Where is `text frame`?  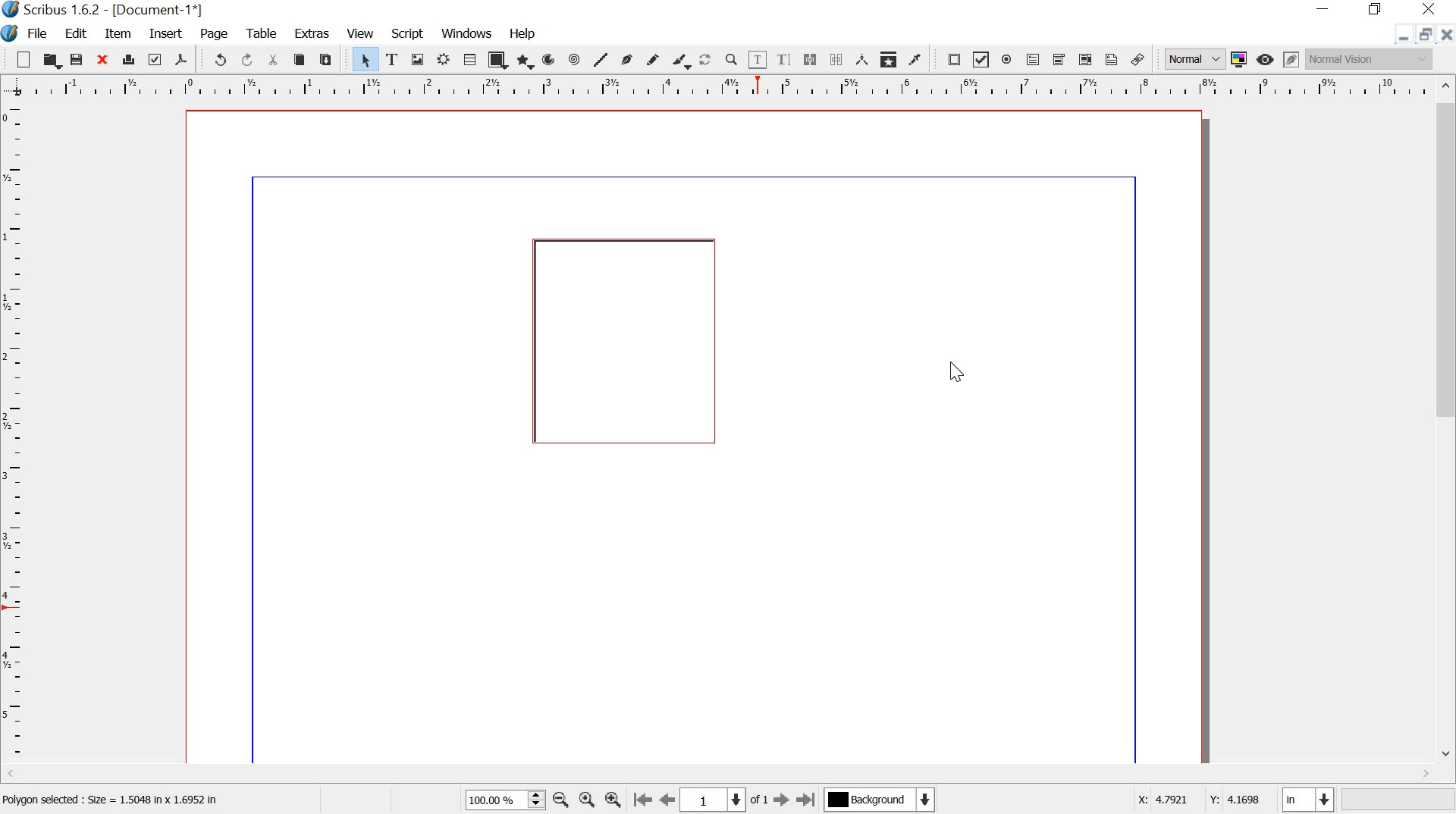 text frame is located at coordinates (396, 60).